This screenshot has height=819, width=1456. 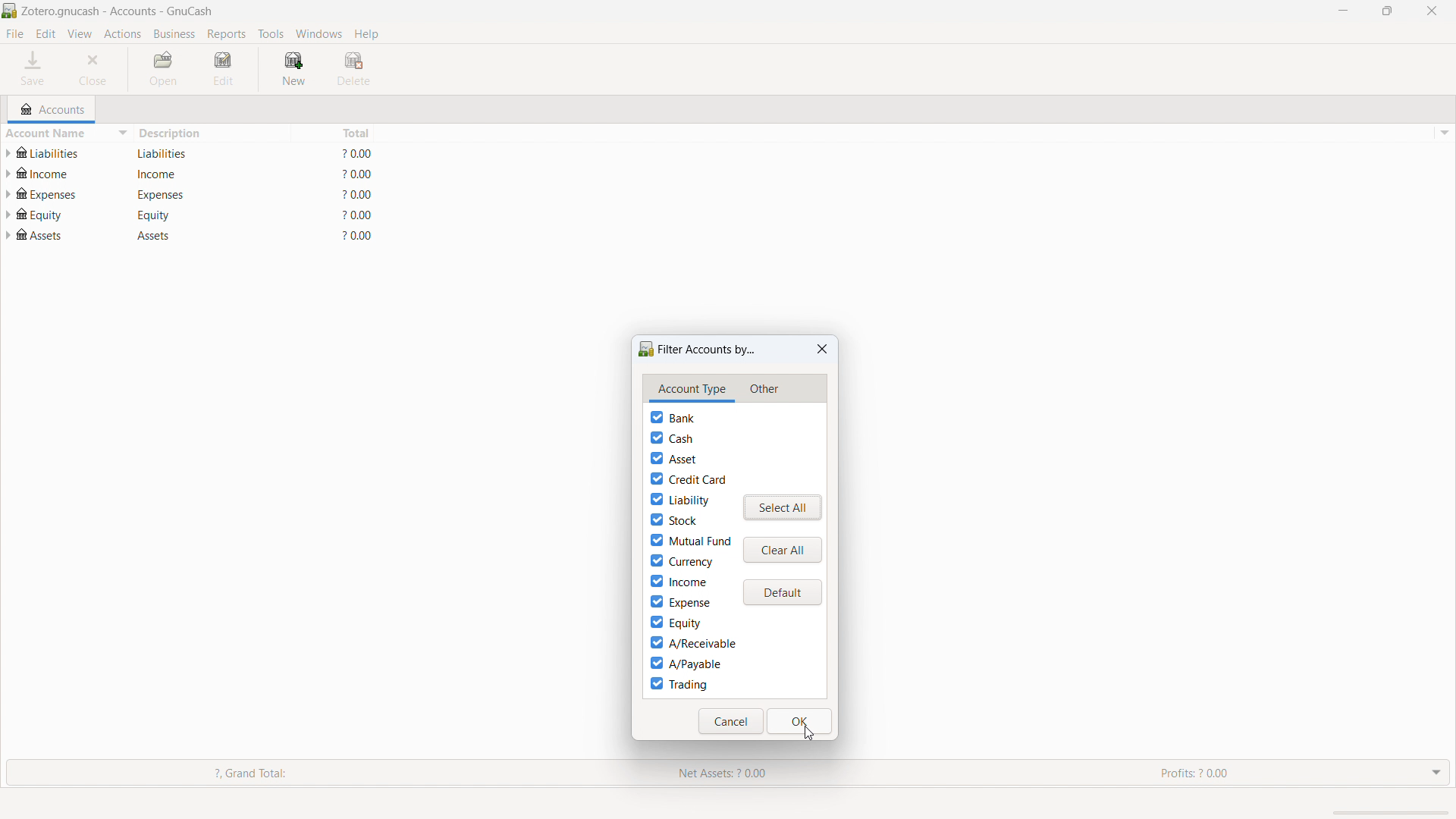 What do you see at coordinates (1341, 11) in the screenshot?
I see `minimize` at bounding box center [1341, 11].